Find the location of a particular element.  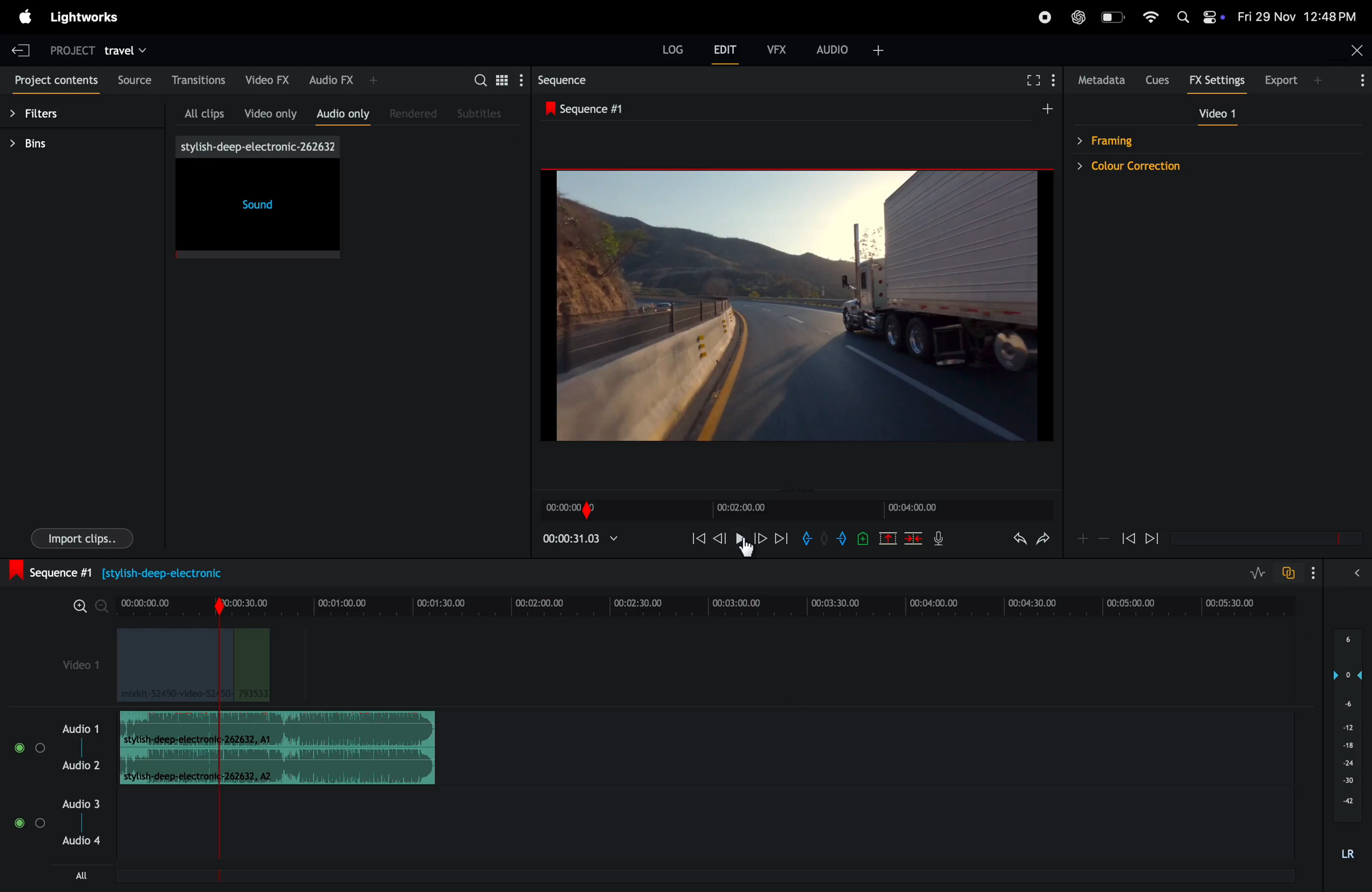

add cue to current position is located at coordinates (862, 538).